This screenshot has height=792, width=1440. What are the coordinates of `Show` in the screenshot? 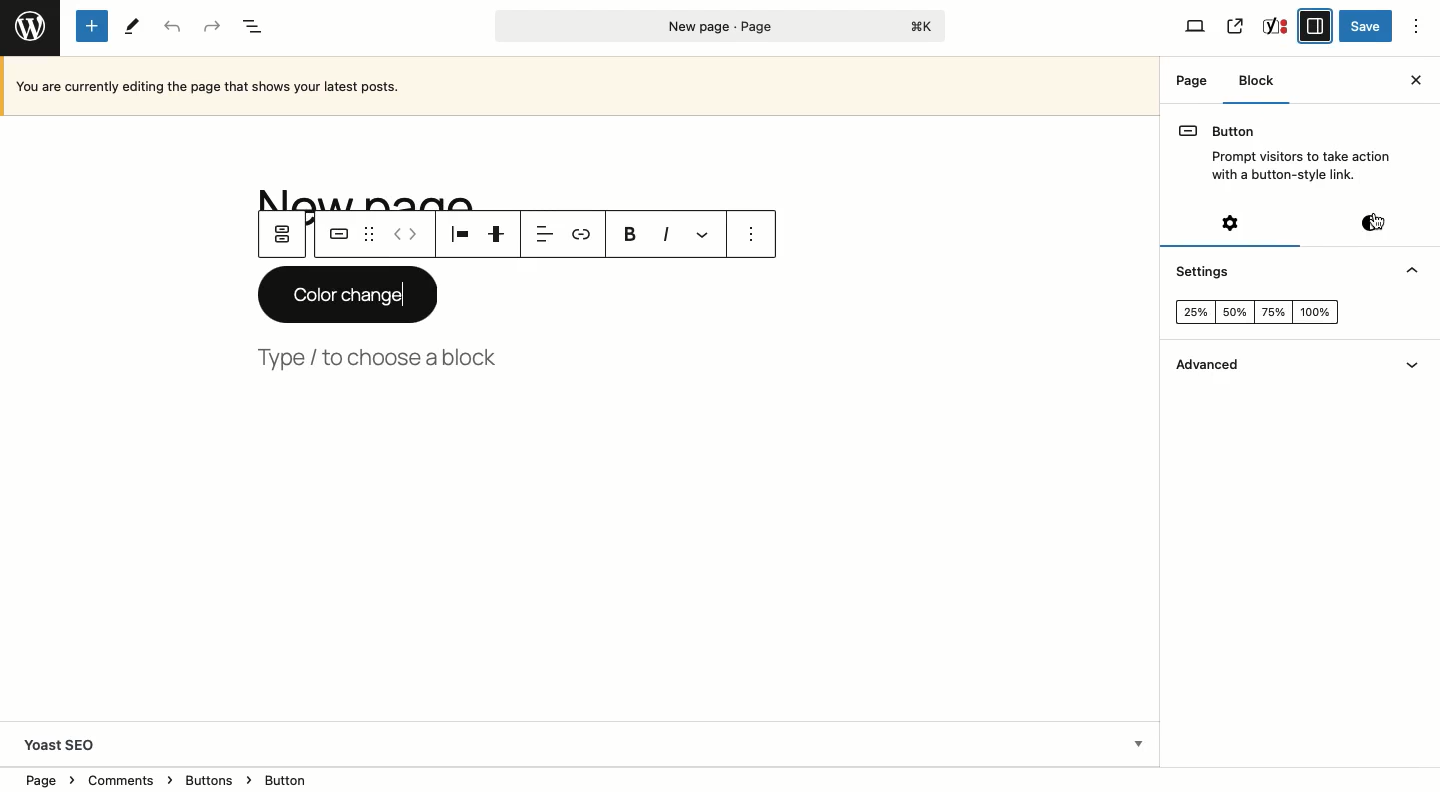 It's located at (1417, 369).